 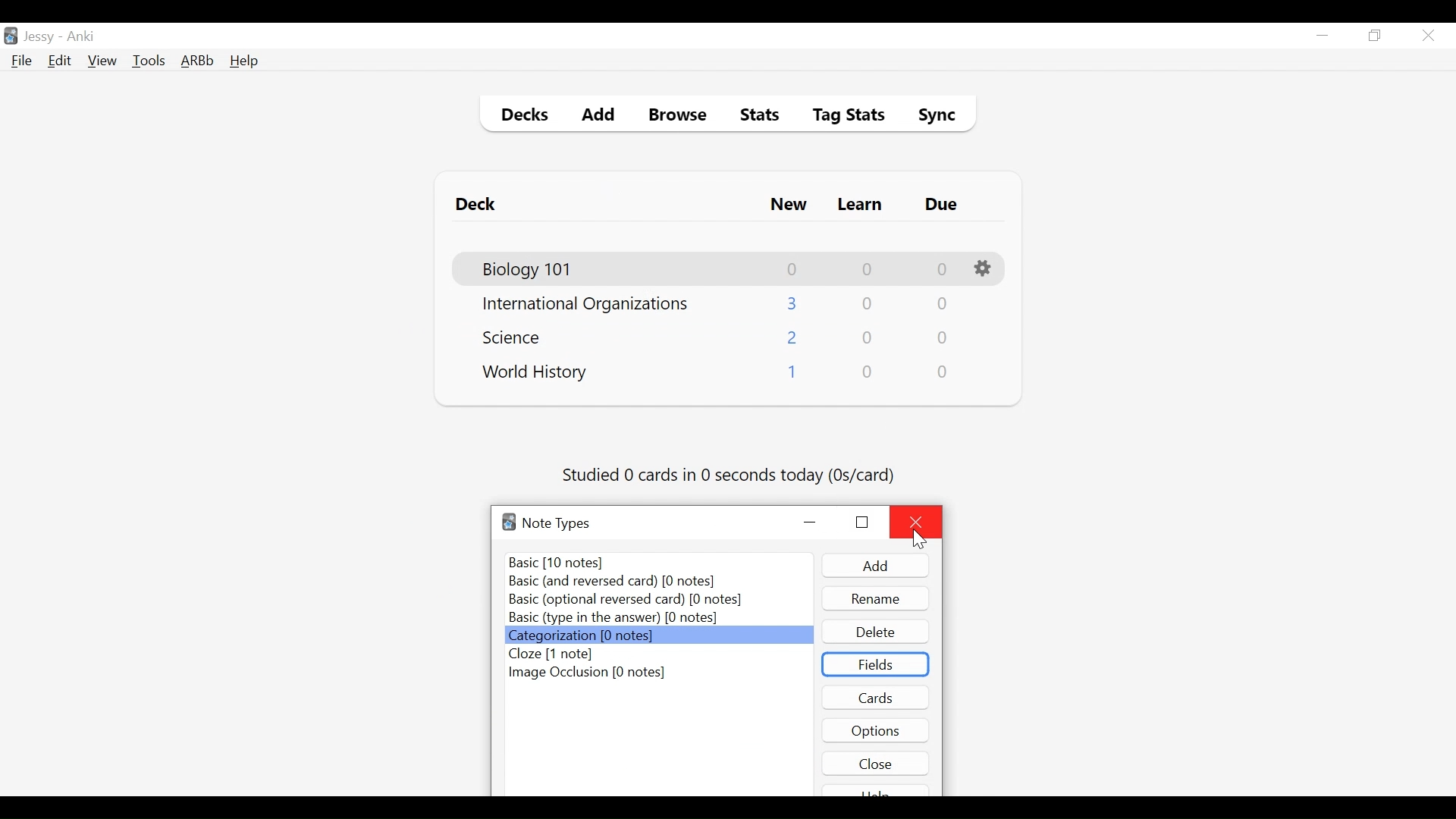 What do you see at coordinates (198, 61) in the screenshot?
I see `Advanced Review Button bar` at bounding box center [198, 61].